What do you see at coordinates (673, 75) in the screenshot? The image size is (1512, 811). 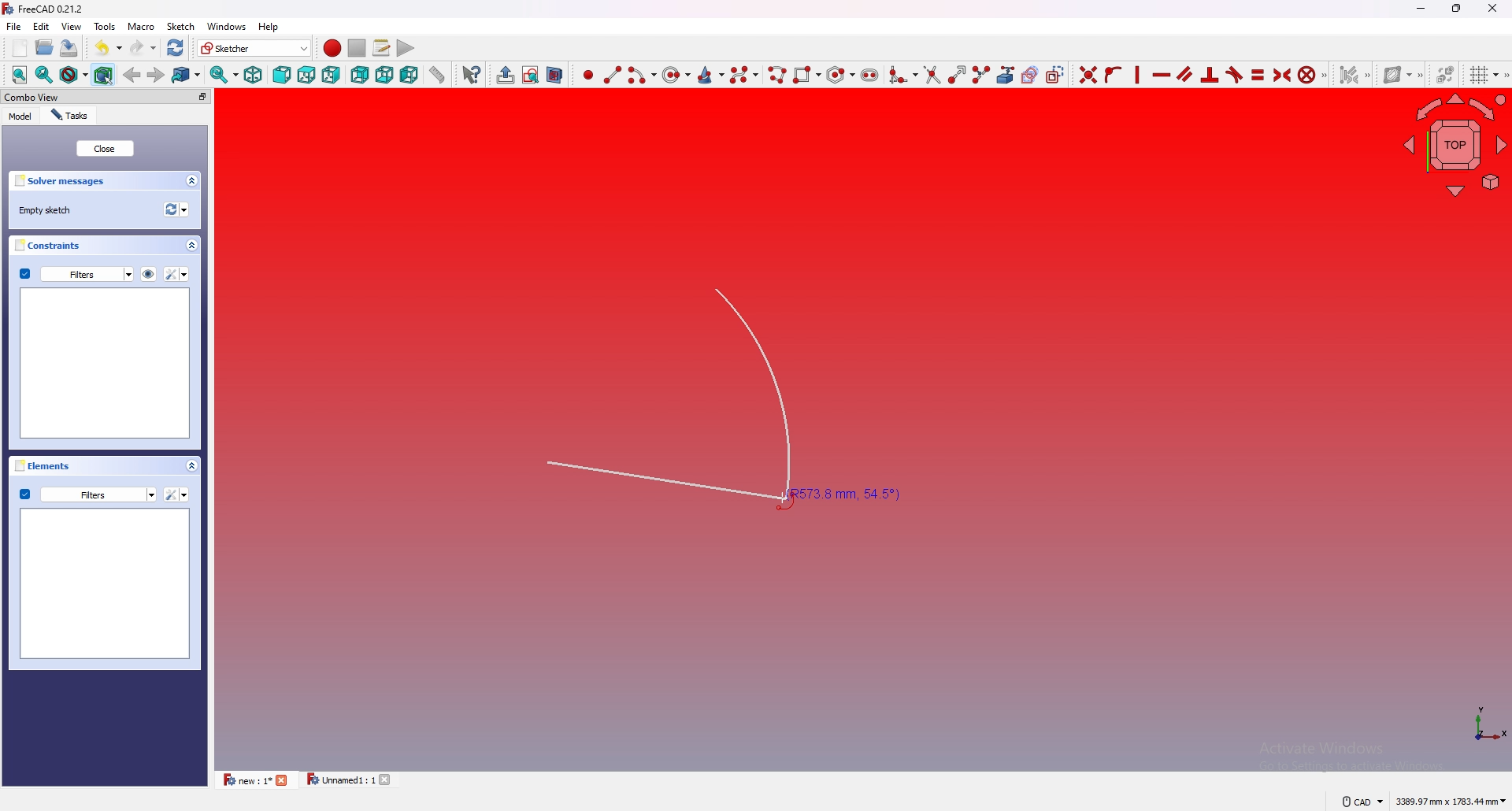 I see `create circle` at bounding box center [673, 75].